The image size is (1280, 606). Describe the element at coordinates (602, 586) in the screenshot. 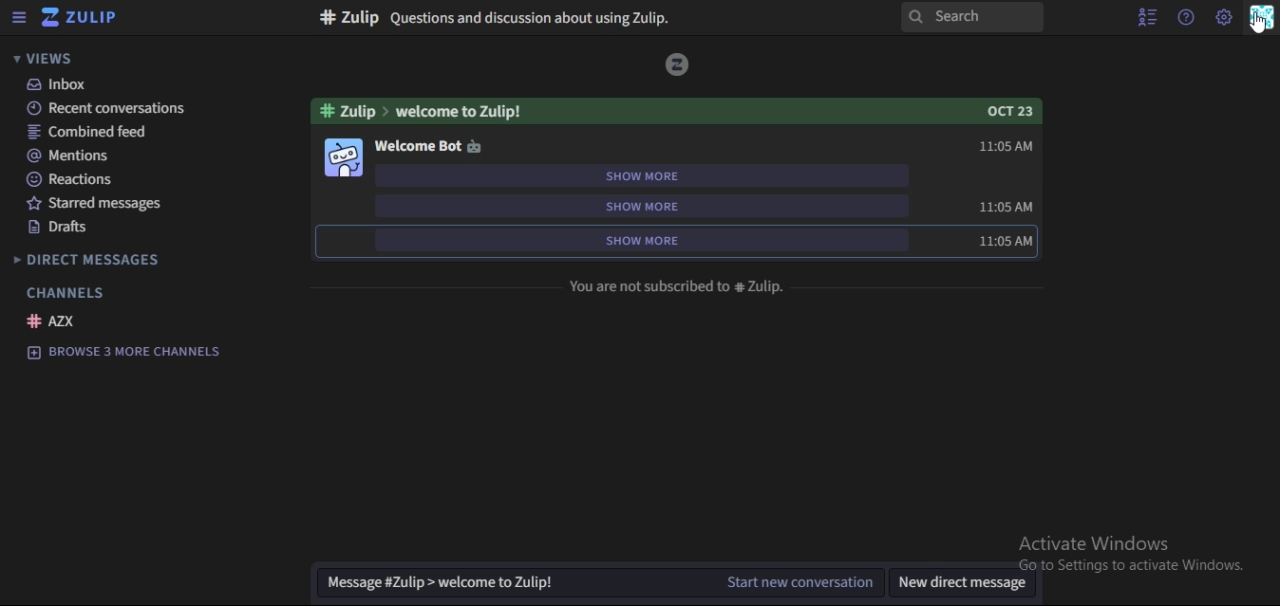

I see `start new conversation` at that location.